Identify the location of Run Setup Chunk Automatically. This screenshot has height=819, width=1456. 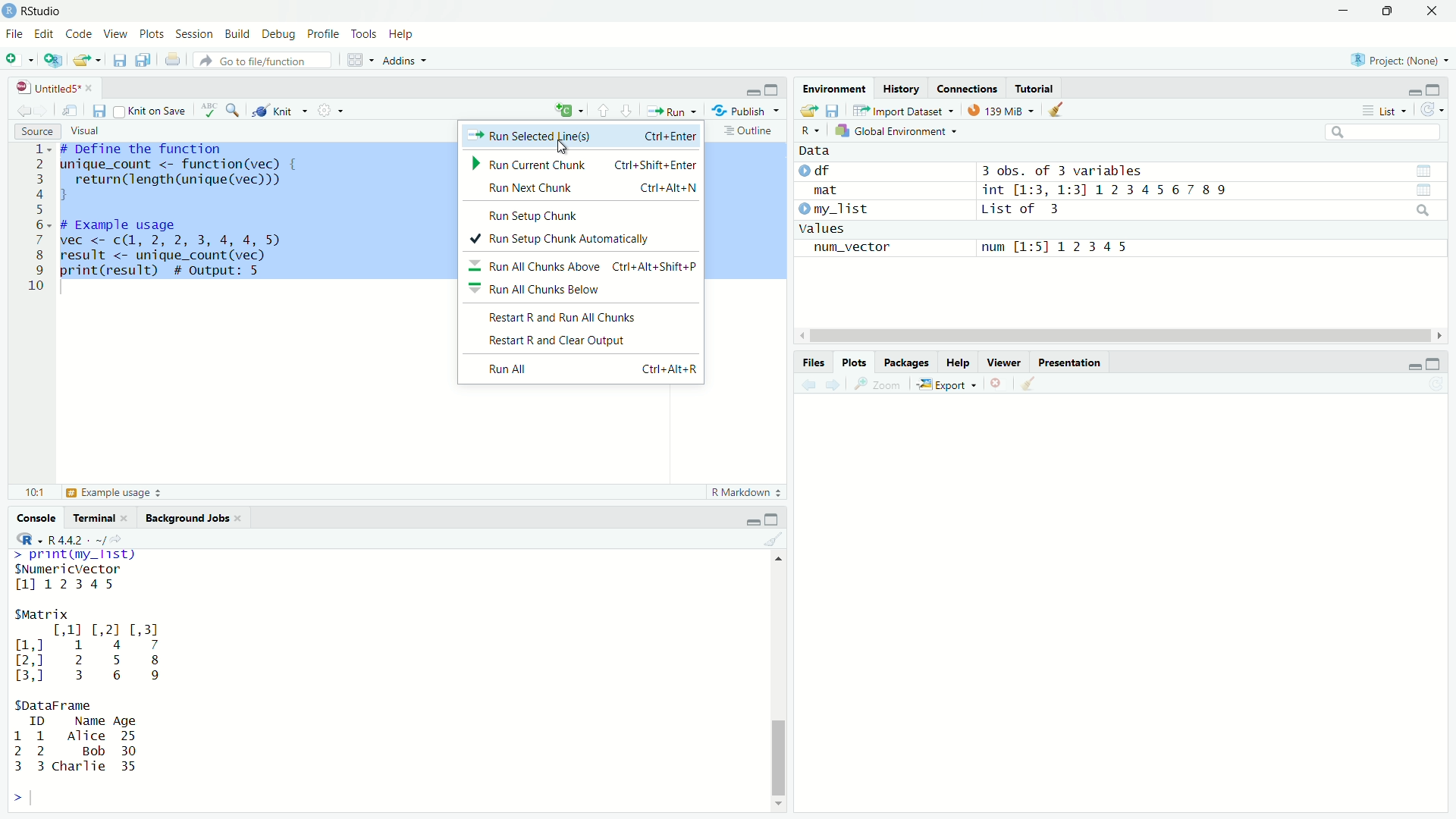
(556, 237).